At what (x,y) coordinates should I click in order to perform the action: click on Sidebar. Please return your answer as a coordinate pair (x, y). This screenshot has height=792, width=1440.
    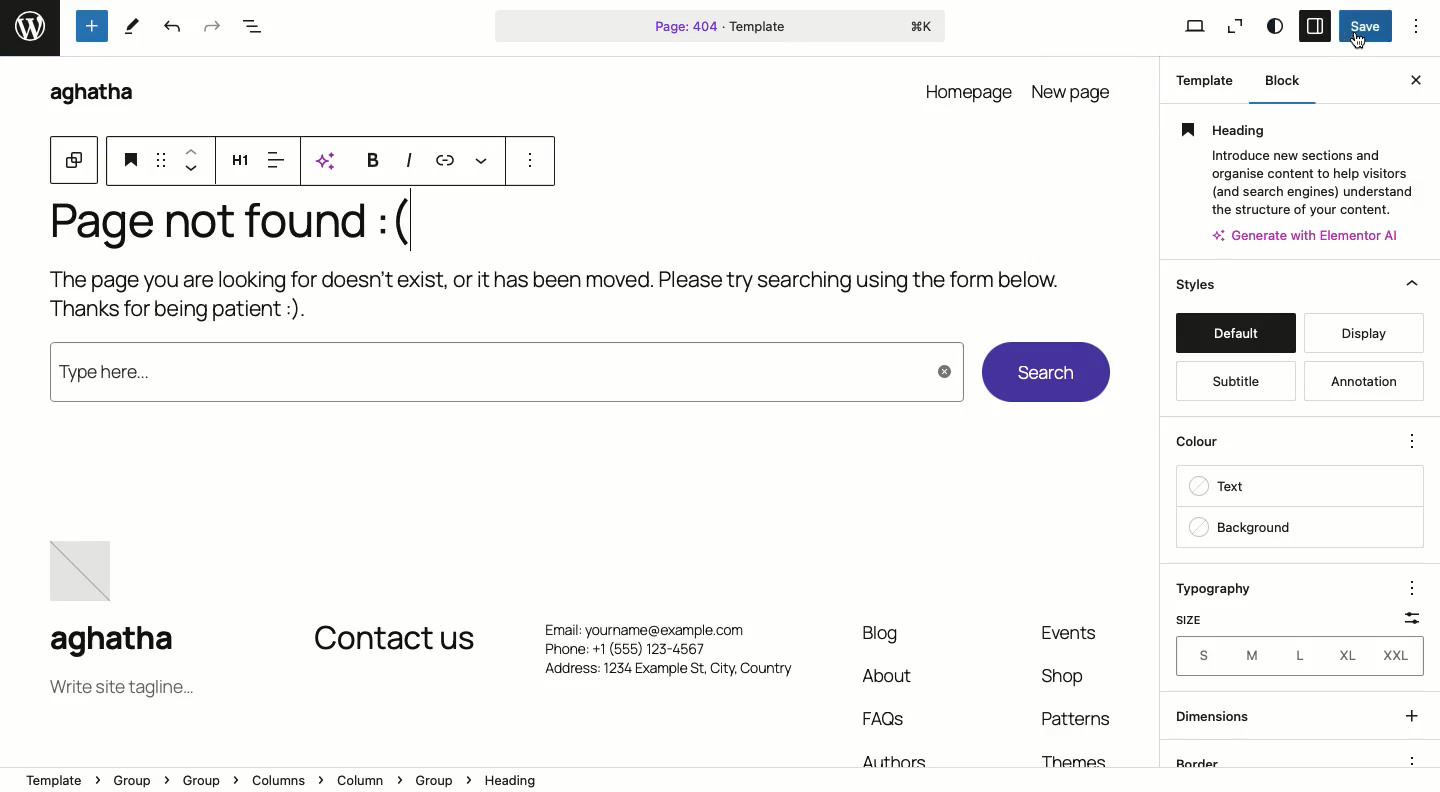
    Looking at the image, I should click on (1316, 26).